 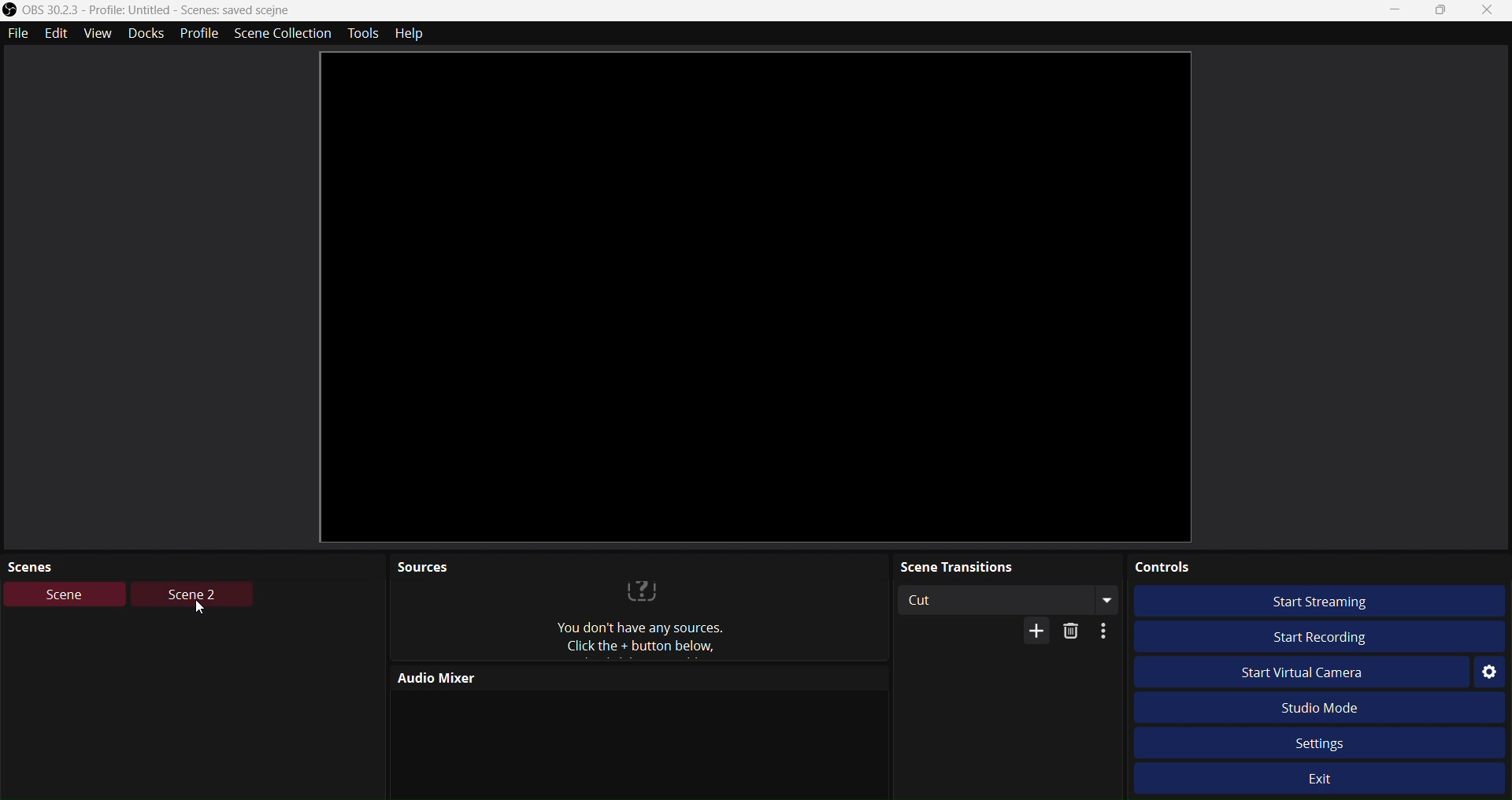 I want to click on Settings, so click(x=1489, y=672).